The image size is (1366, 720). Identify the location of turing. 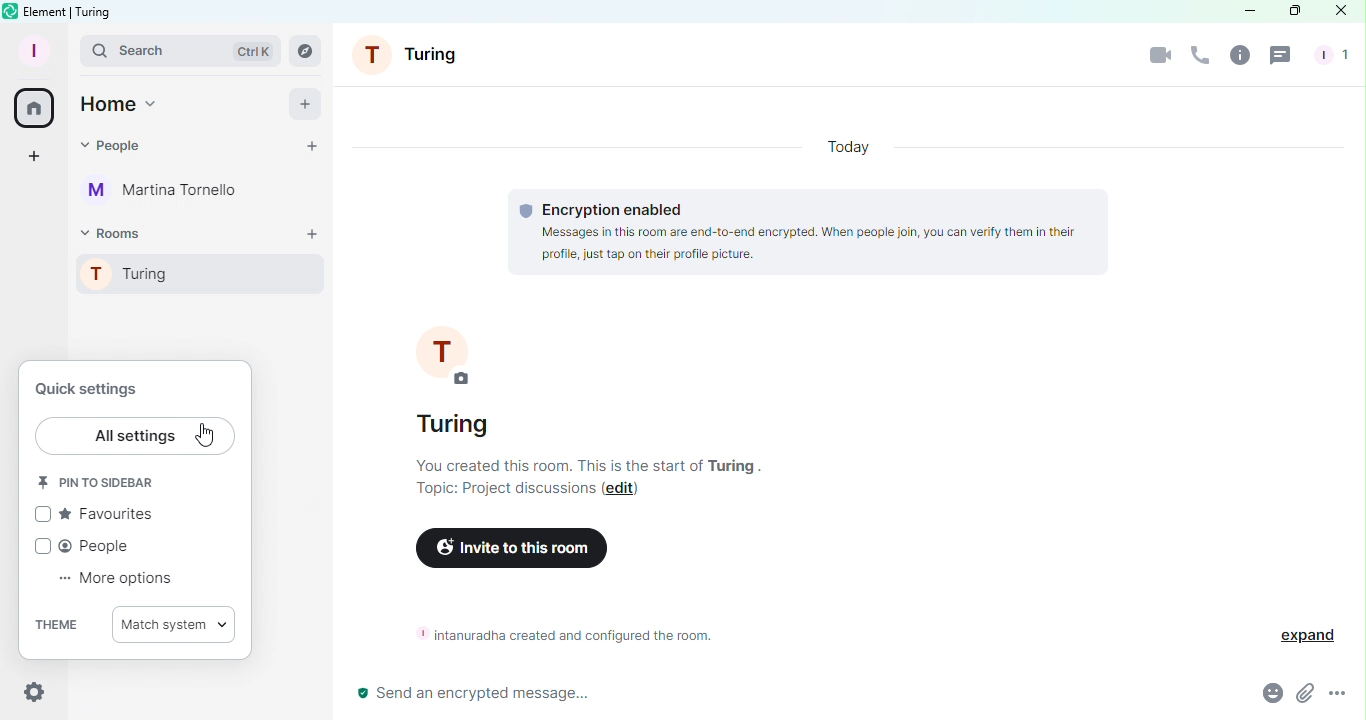
(456, 424).